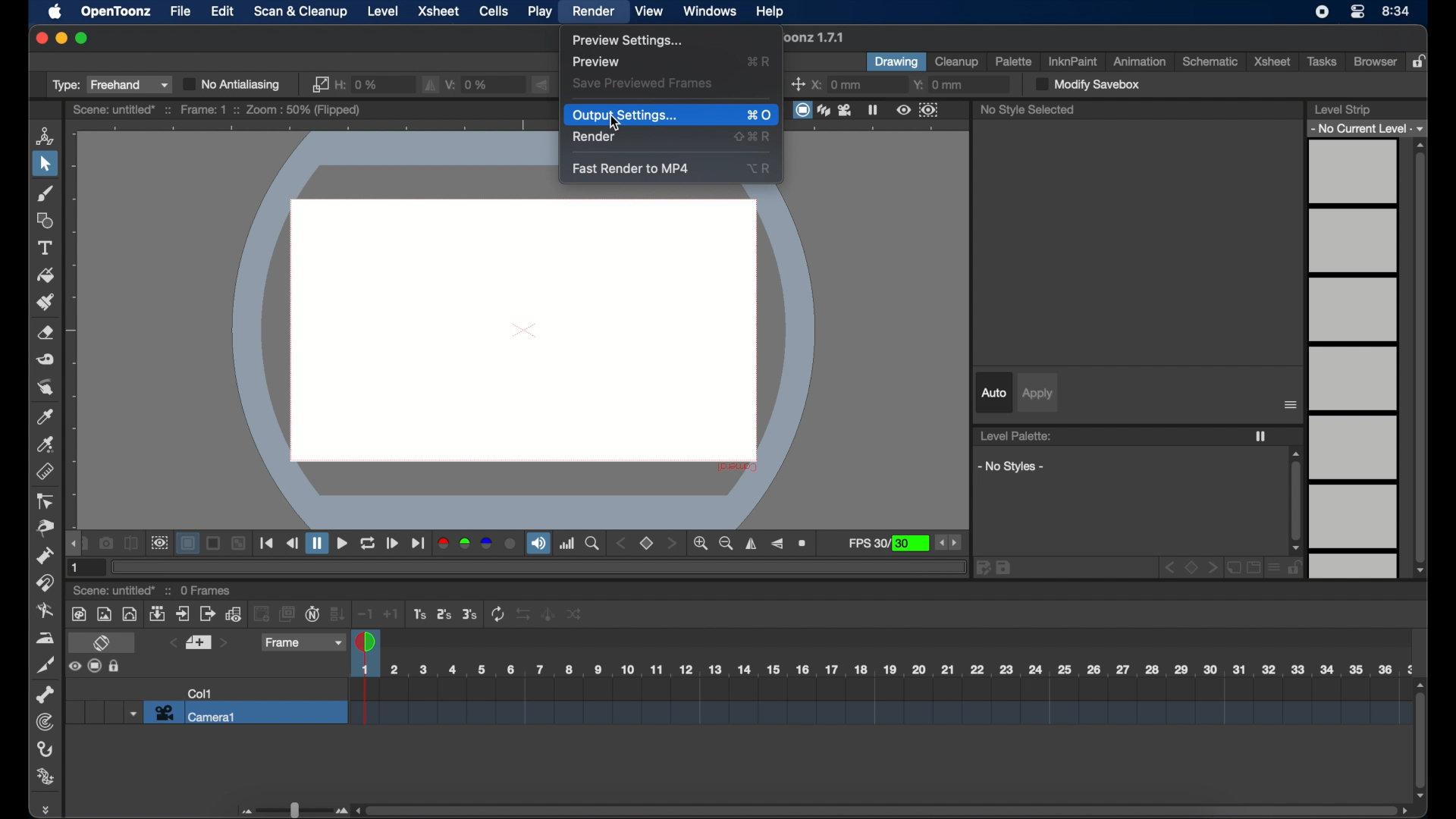  I want to click on more options, so click(1291, 405).